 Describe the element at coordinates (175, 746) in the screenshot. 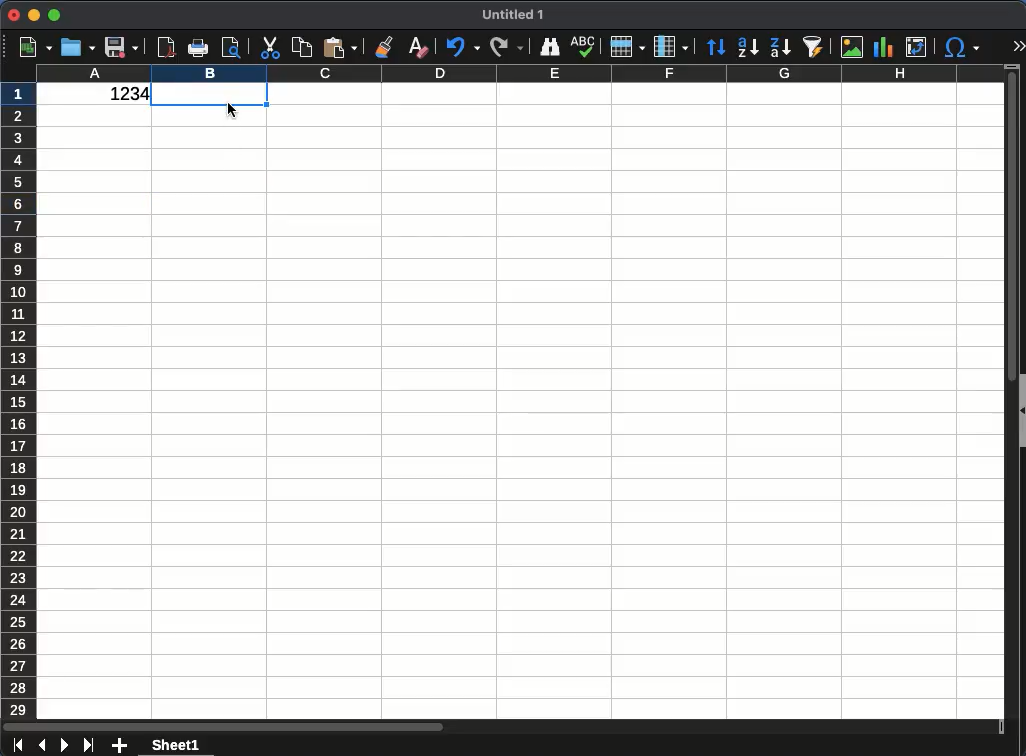

I see `sheet 1` at that location.